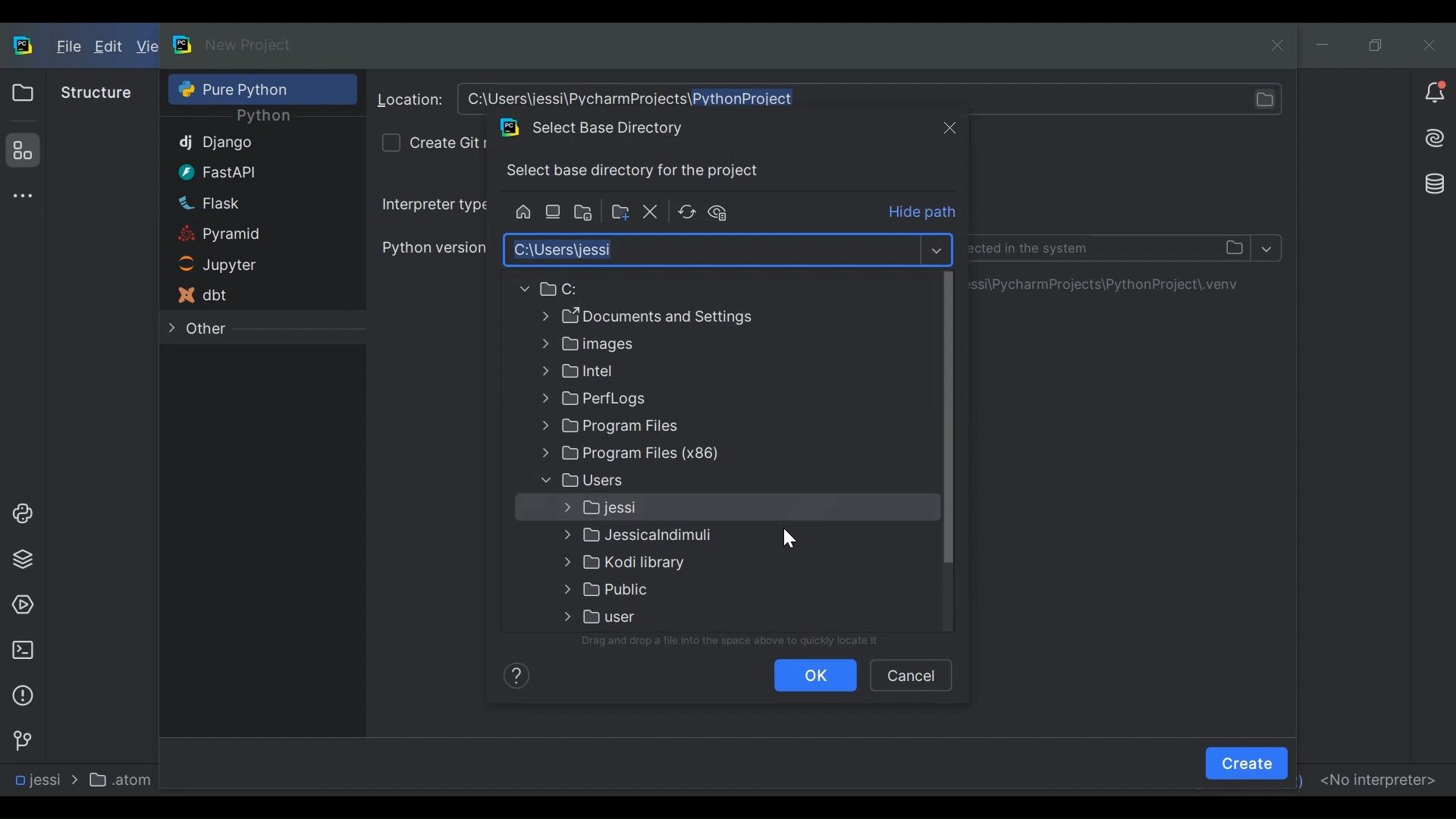 The image size is (1456, 819). What do you see at coordinates (664, 400) in the screenshot?
I see `Folder Path` at bounding box center [664, 400].